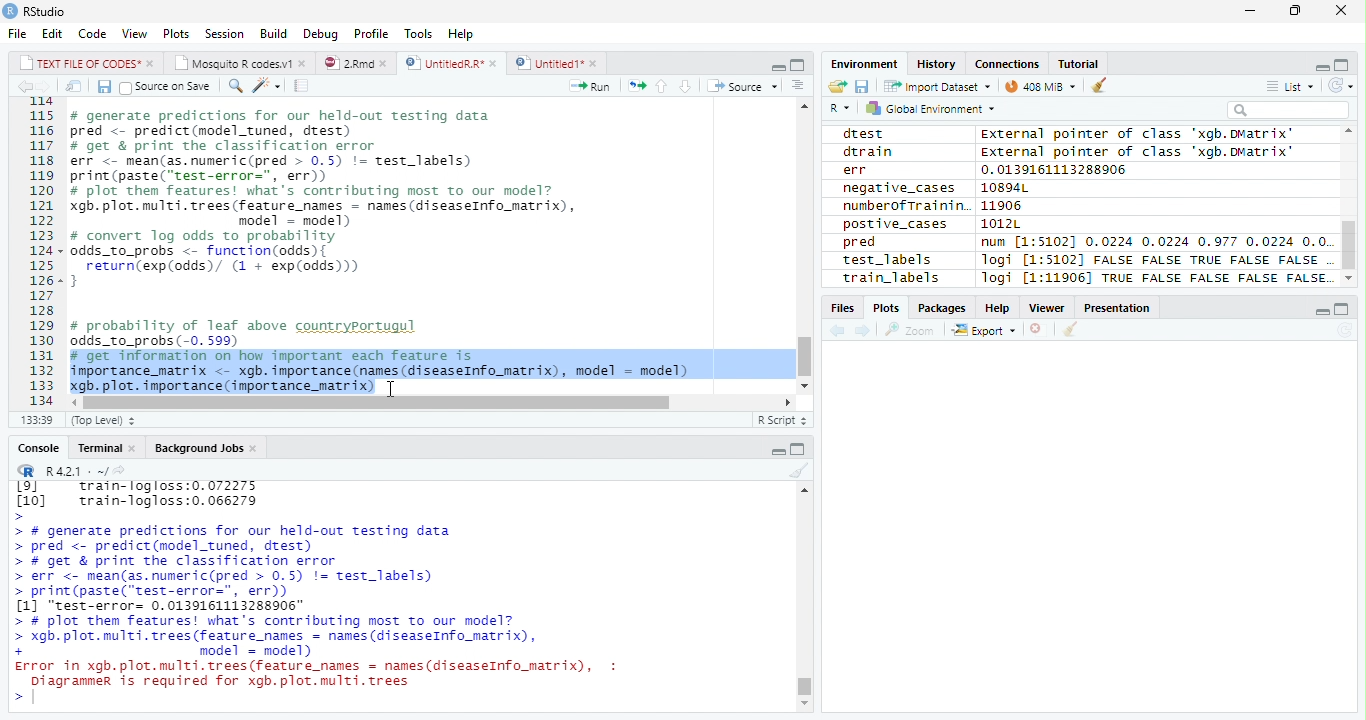 Image resolution: width=1366 pixels, height=720 pixels. What do you see at coordinates (774, 65) in the screenshot?
I see `Minimize` at bounding box center [774, 65].